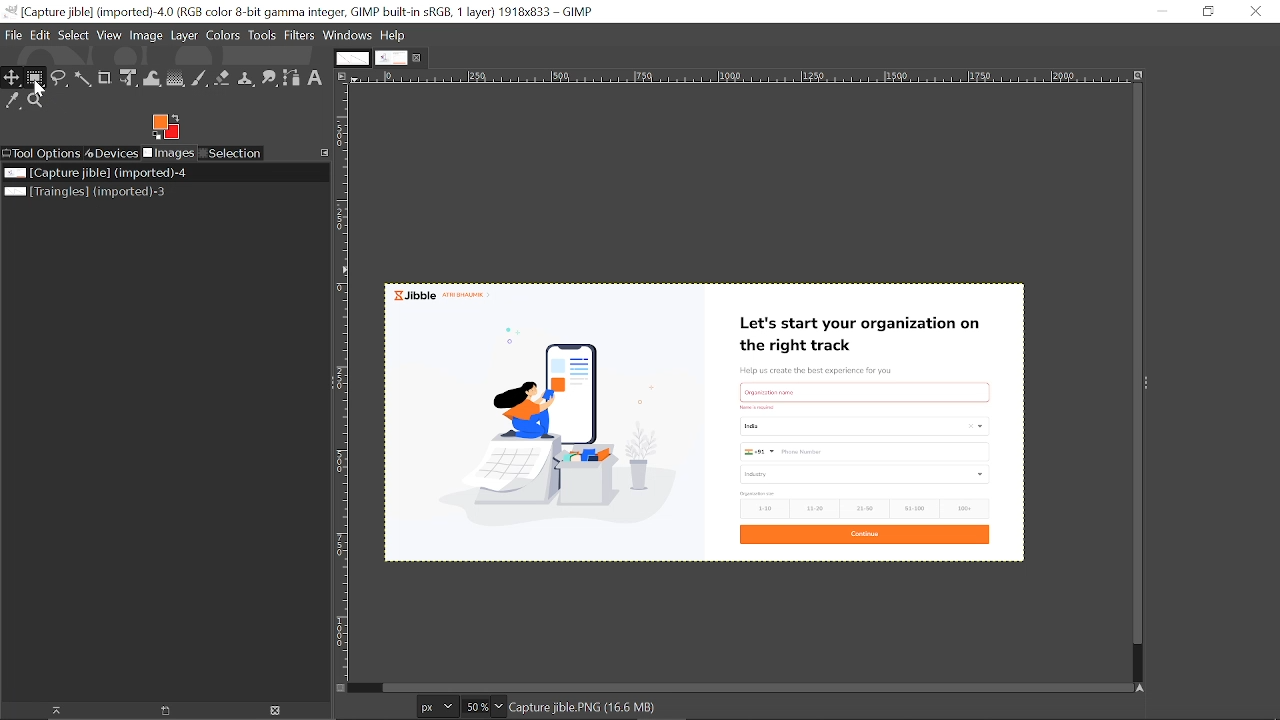 The image size is (1280, 720). I want to click on first tab, so click(351, 58).